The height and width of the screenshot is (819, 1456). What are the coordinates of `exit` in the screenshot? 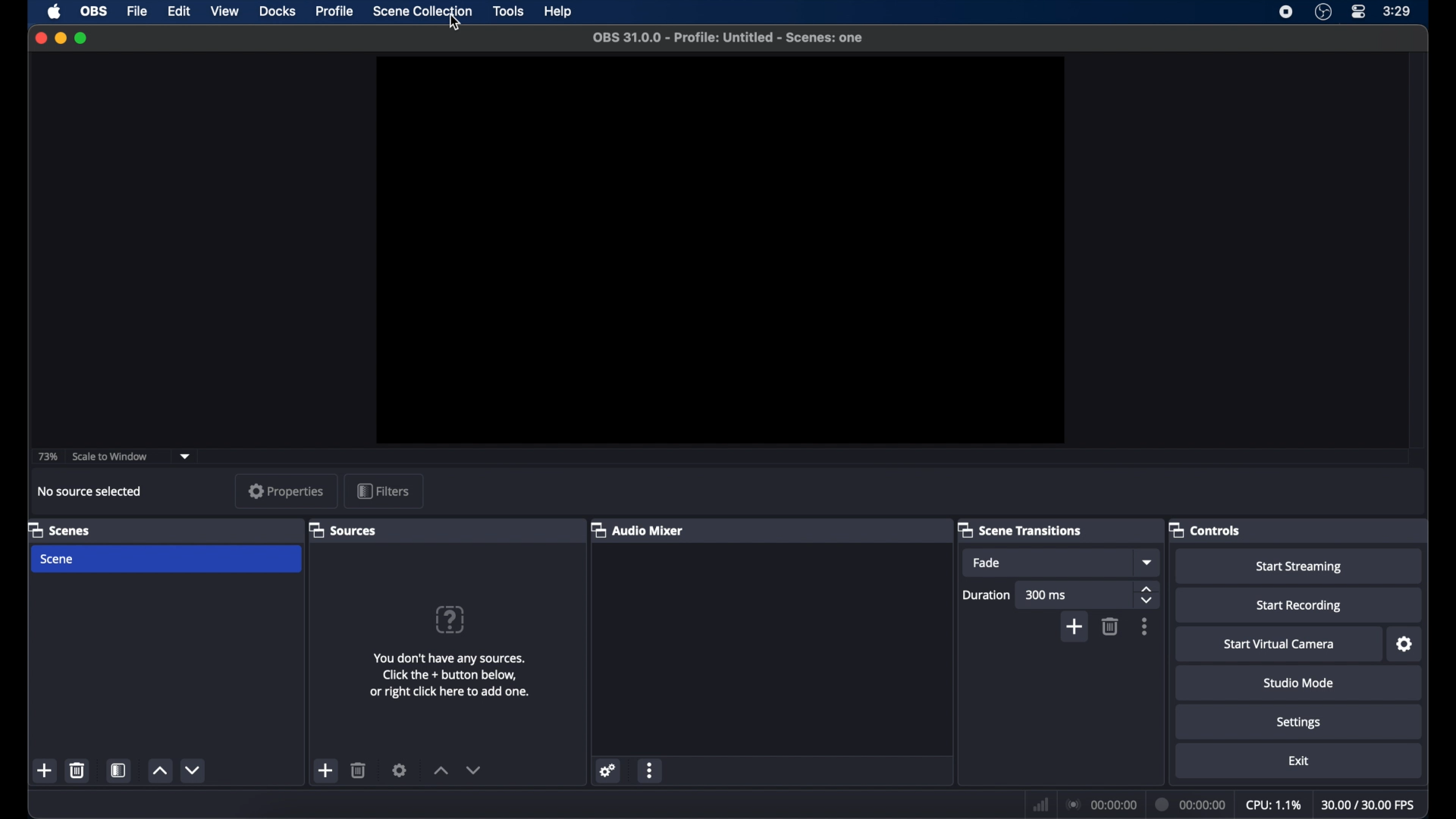 It's located at (1301, 761).